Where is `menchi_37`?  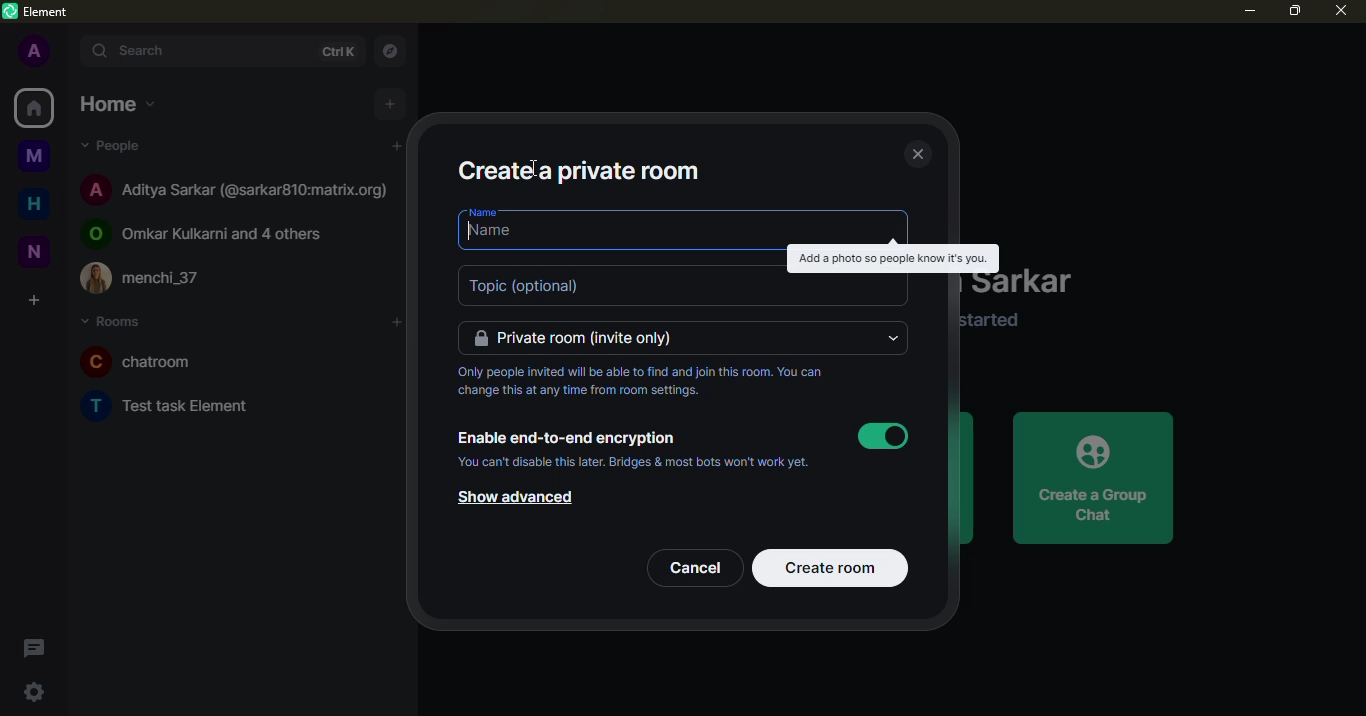 menchi_37 is located at coordinates (142, 278).